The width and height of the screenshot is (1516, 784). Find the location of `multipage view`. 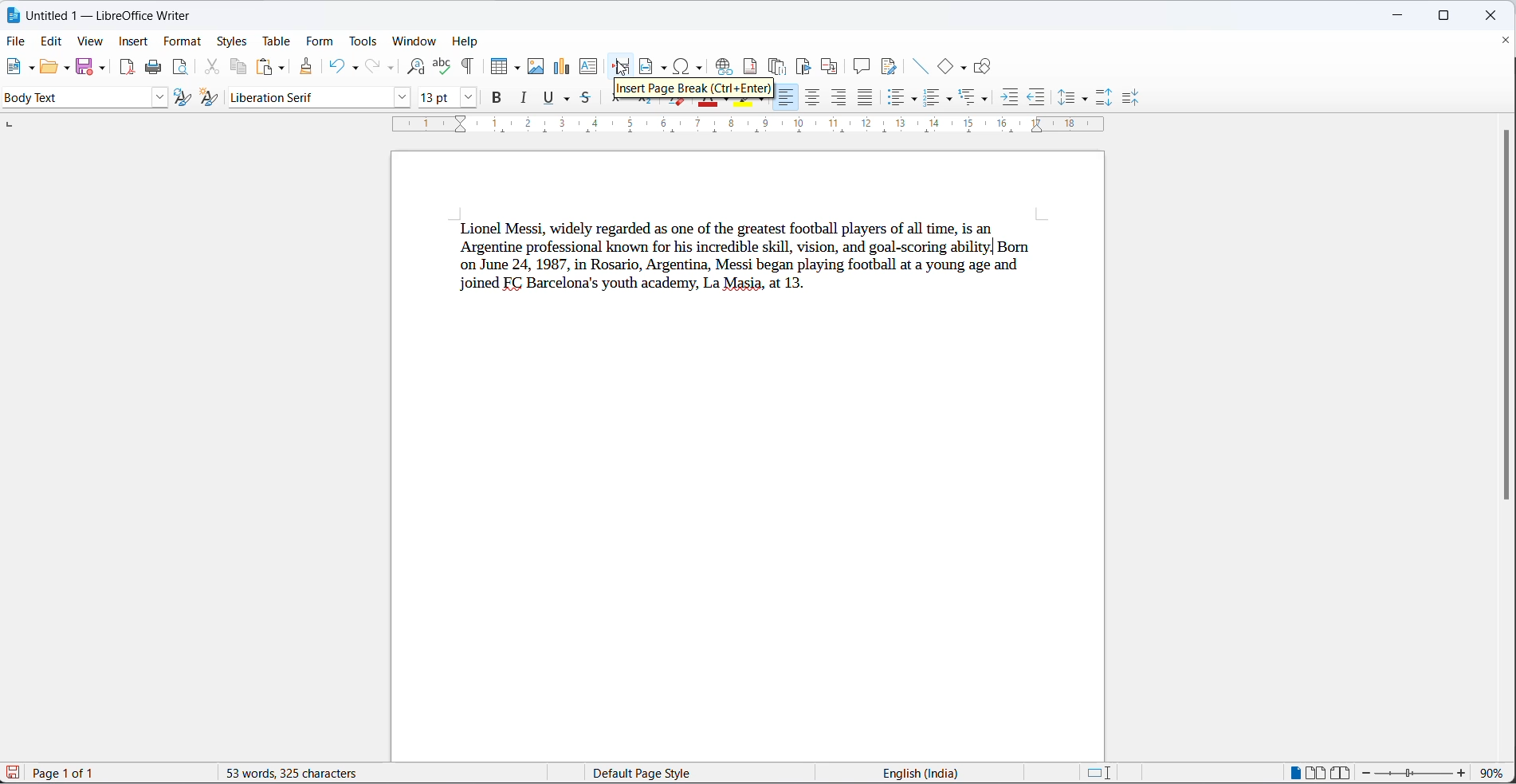

multipage view is located at coordinates (1316, 772).